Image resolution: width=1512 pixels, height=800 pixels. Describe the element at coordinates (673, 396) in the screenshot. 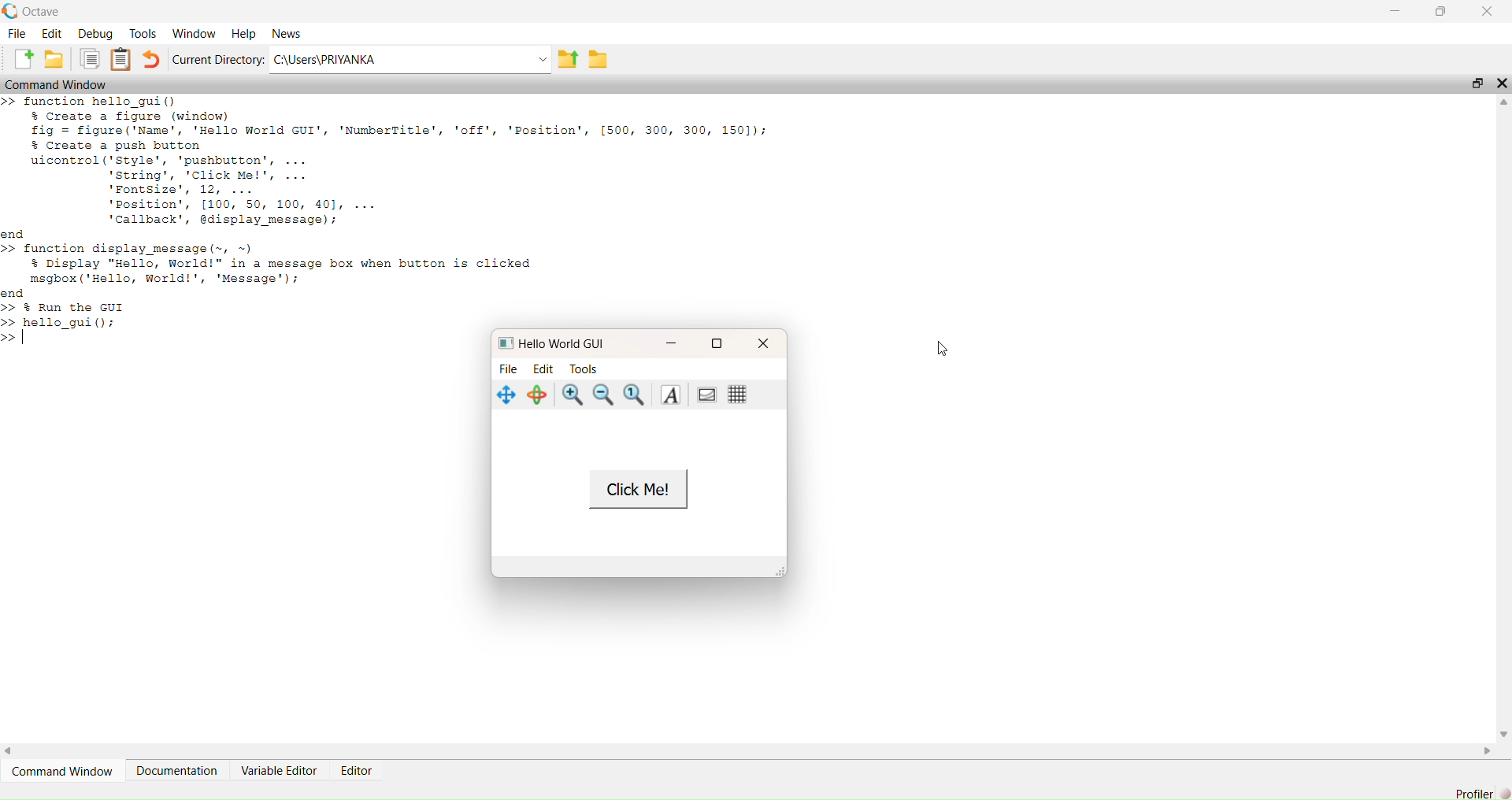

I see `text` at that location.